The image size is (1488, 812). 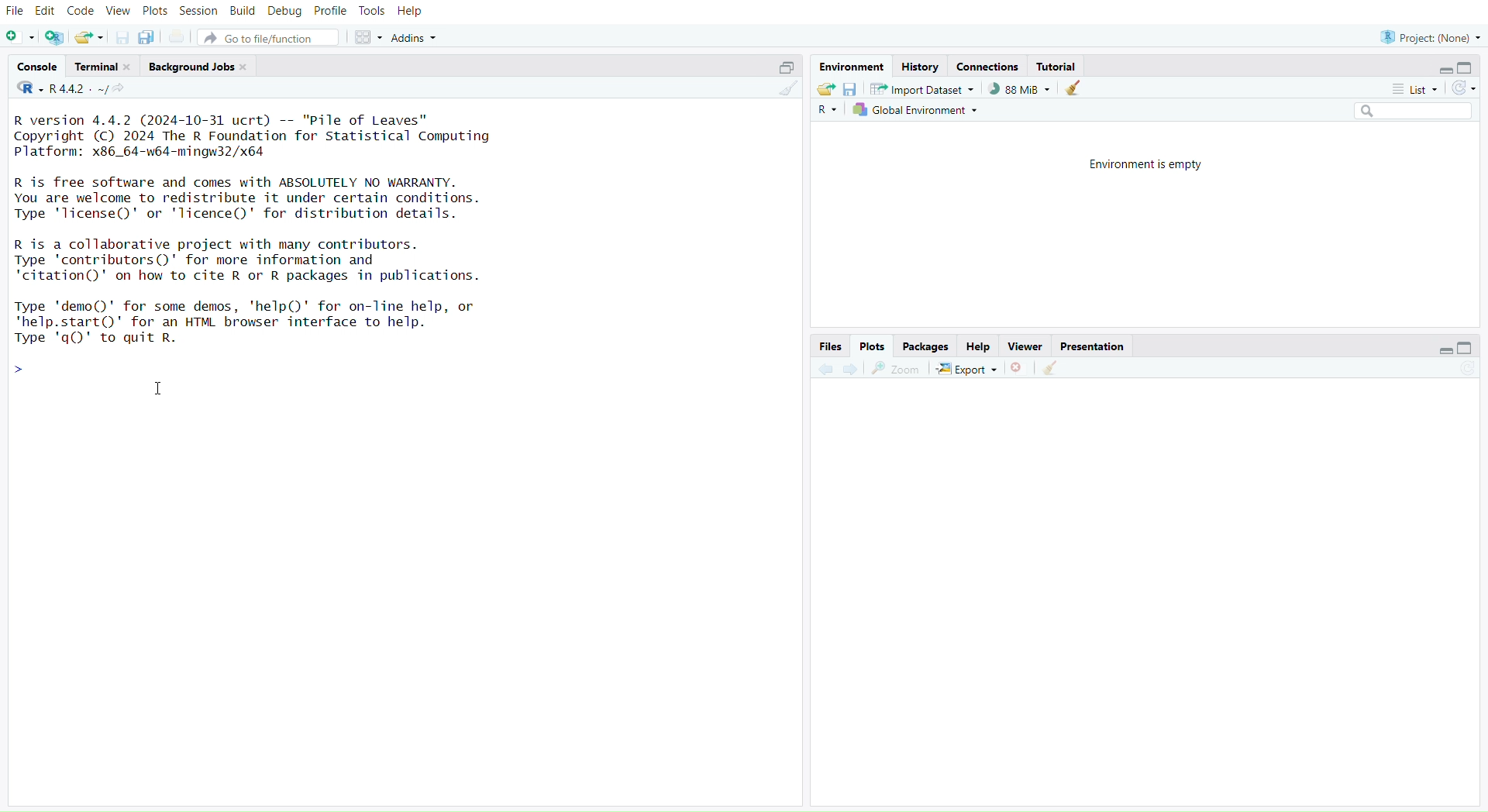 I want to click on save workspace, so click(x=849, y=90).